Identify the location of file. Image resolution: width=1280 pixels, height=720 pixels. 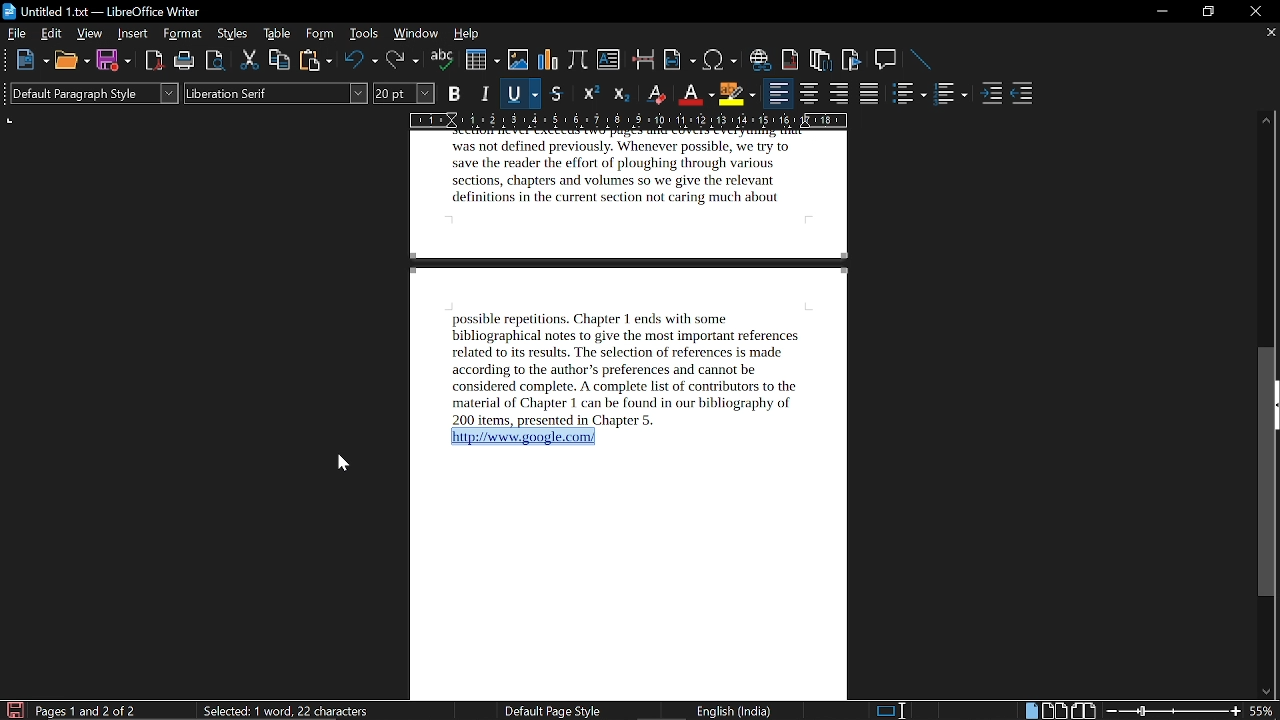
(16, 34).